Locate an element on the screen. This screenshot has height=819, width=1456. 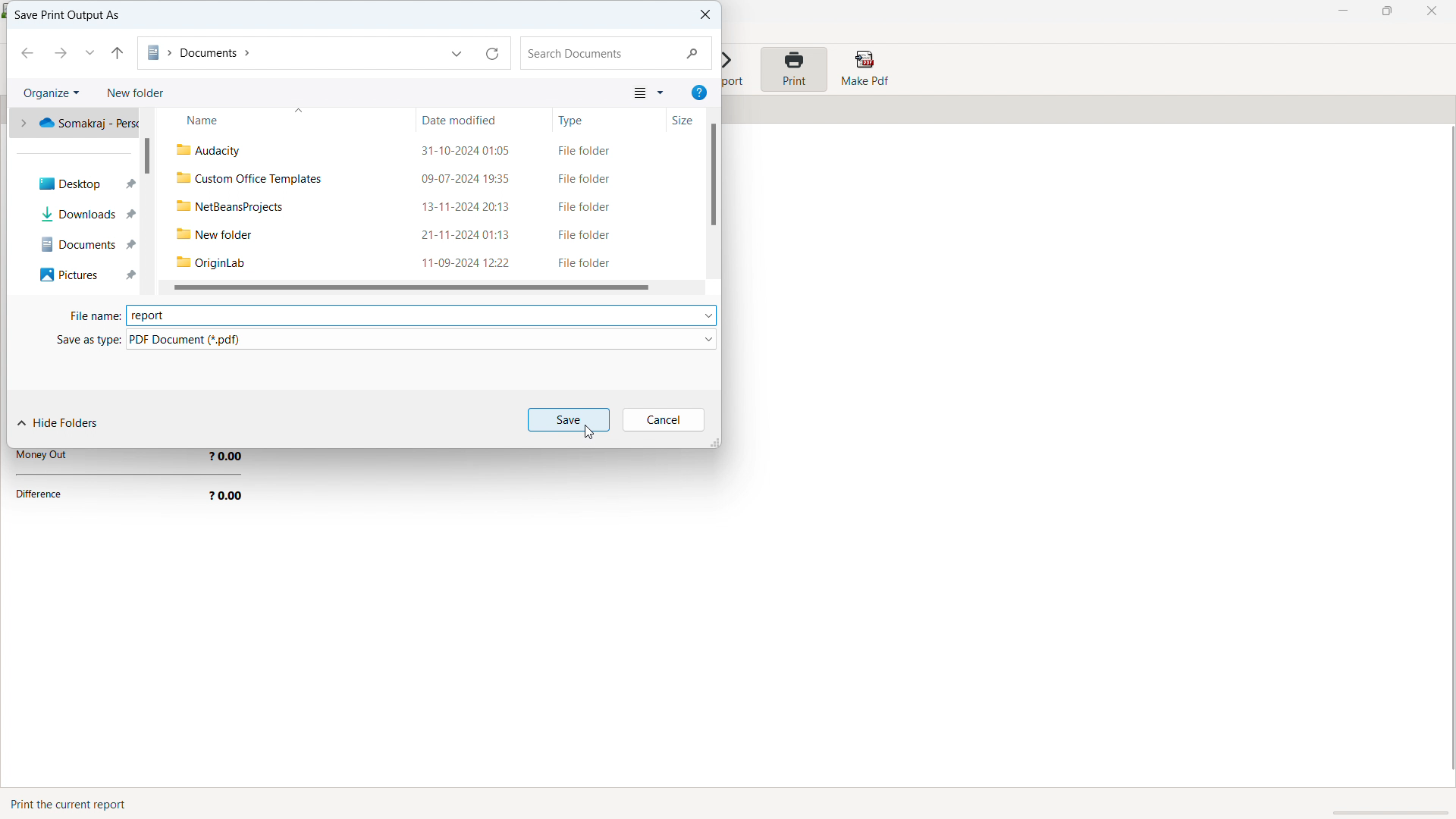
Desktop is located at coordinates (80, 186).